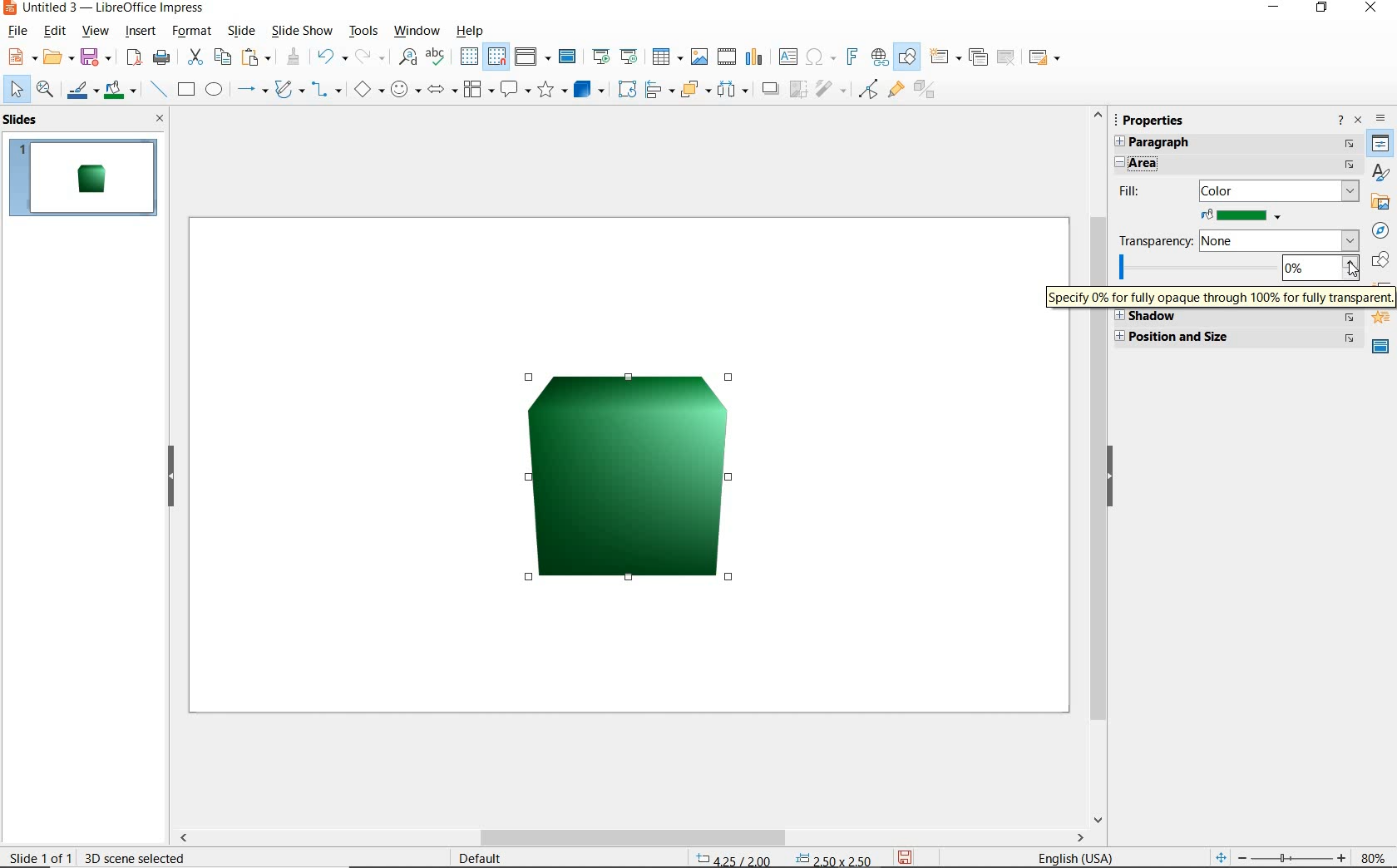 This screenshot has width=1397, height=868. I want to click on SCROLLBAR, so click(1093, 565).